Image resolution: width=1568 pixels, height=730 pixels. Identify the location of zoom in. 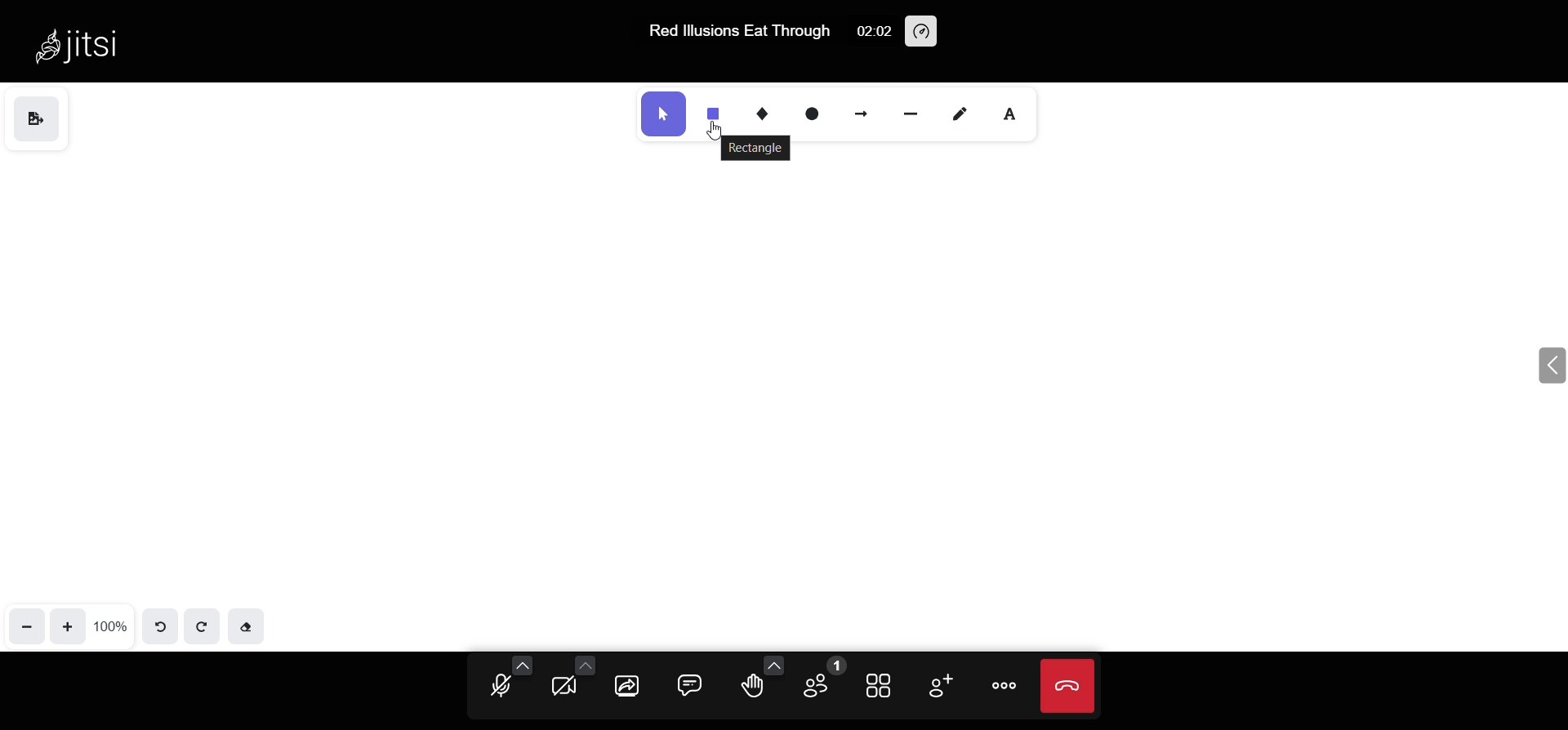
(68, 625).